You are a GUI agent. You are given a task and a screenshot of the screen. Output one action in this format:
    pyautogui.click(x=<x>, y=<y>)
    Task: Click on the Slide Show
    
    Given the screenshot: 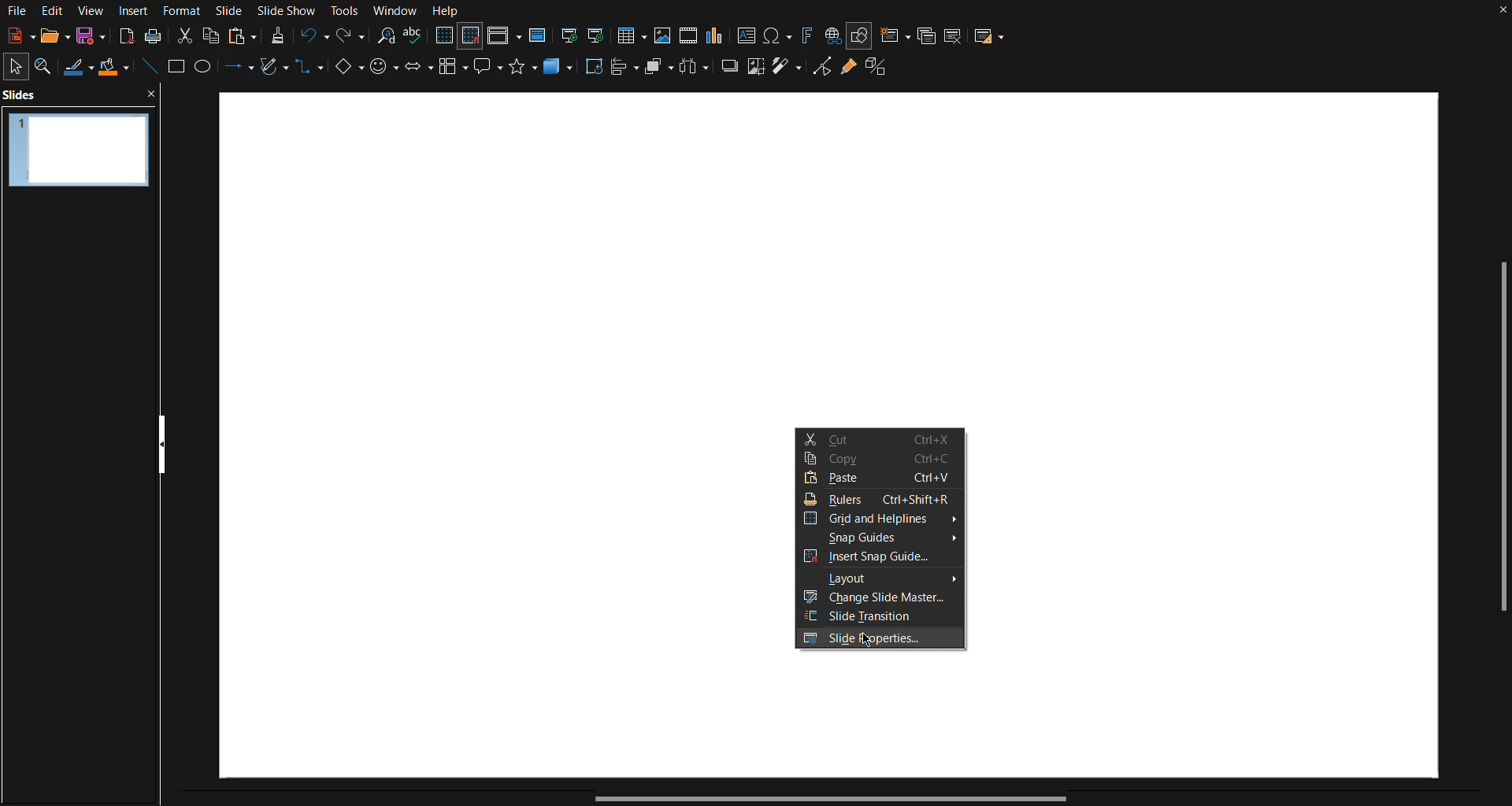 What is the action you would take?
    pyautogui.click(x=290, y=10)
    